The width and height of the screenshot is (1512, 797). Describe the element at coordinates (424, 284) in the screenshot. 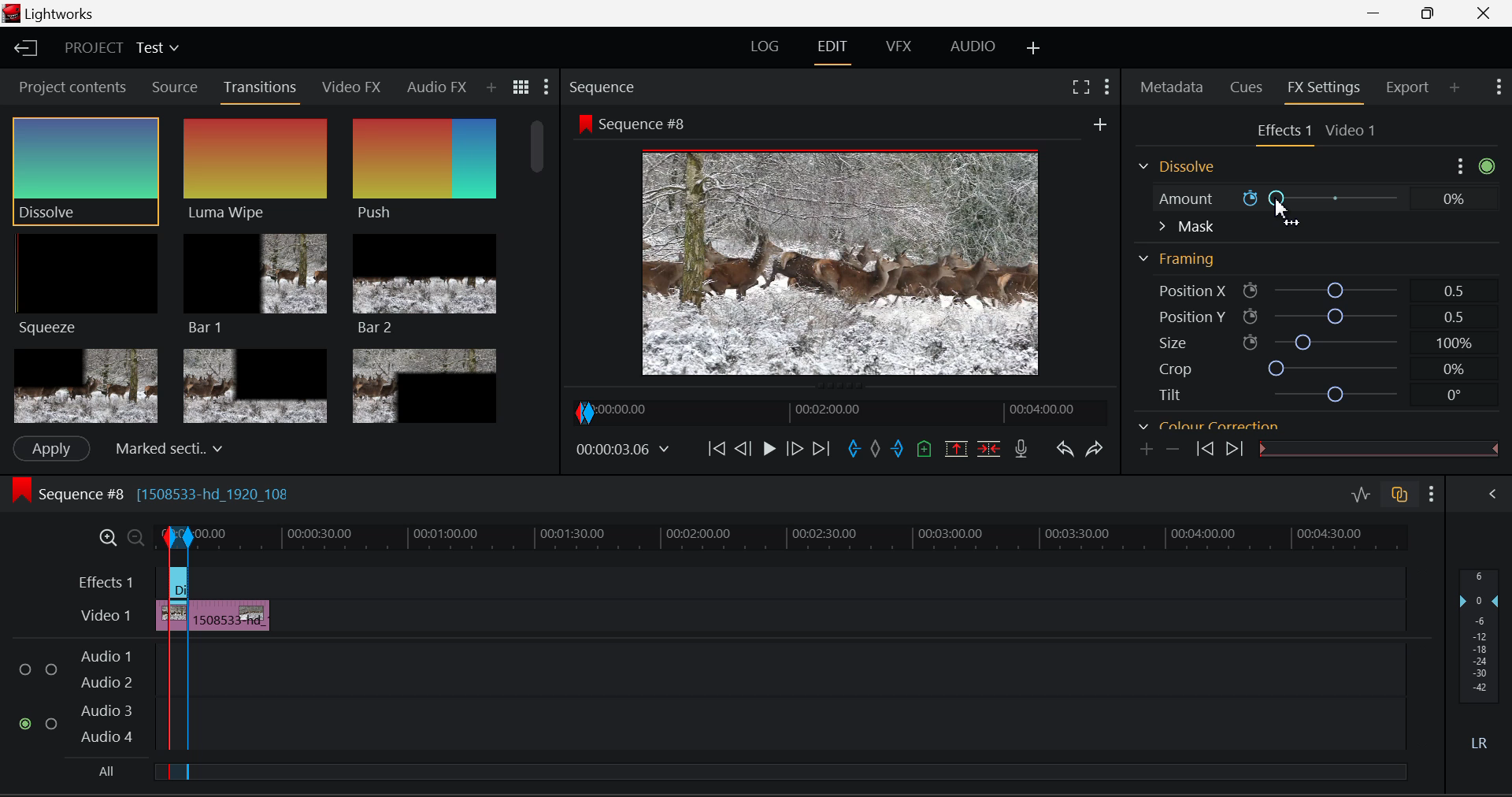

I see `Bar 2` at that location.